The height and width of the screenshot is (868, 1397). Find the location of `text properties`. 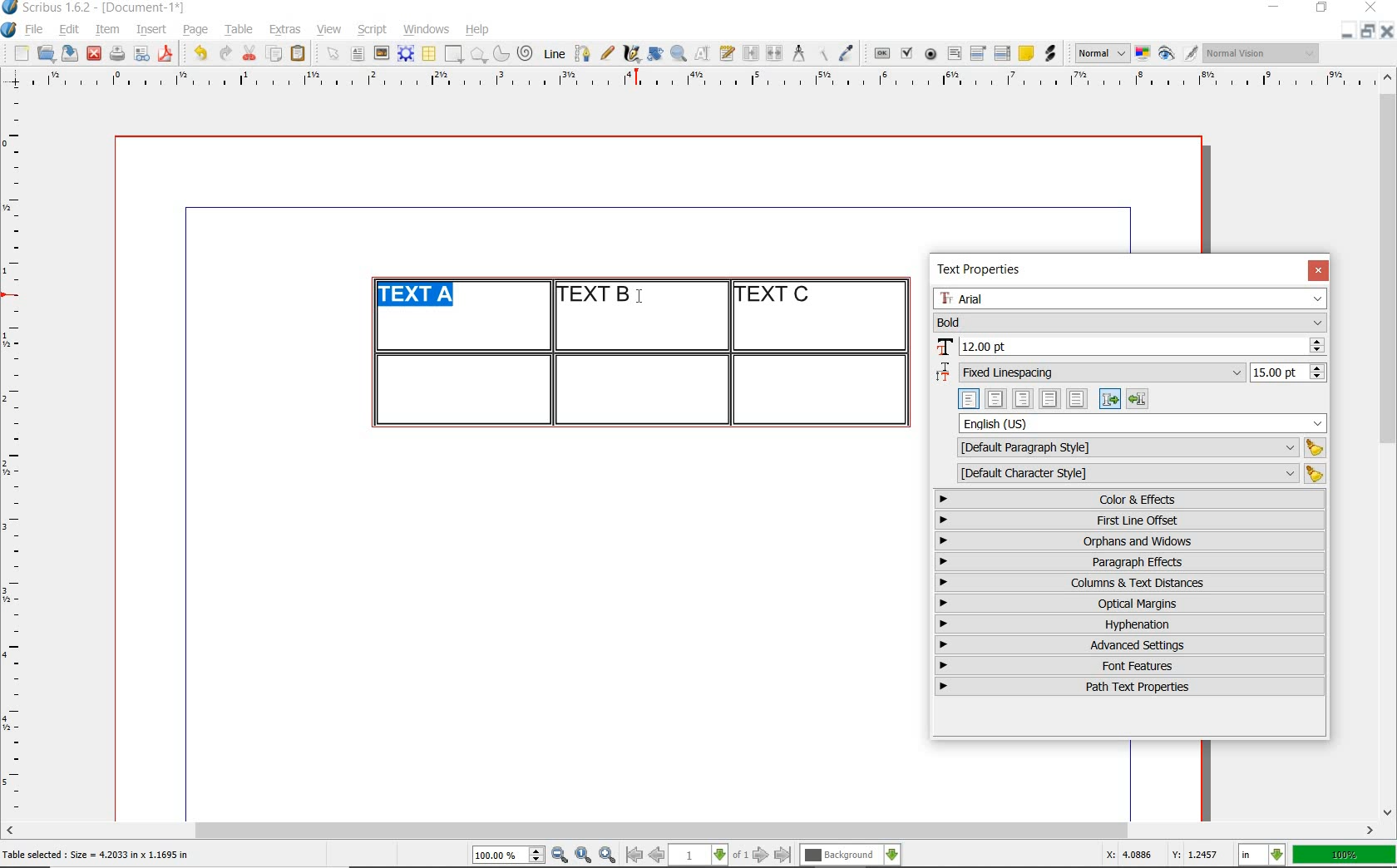

text properties is located at coordinates (978, 272).